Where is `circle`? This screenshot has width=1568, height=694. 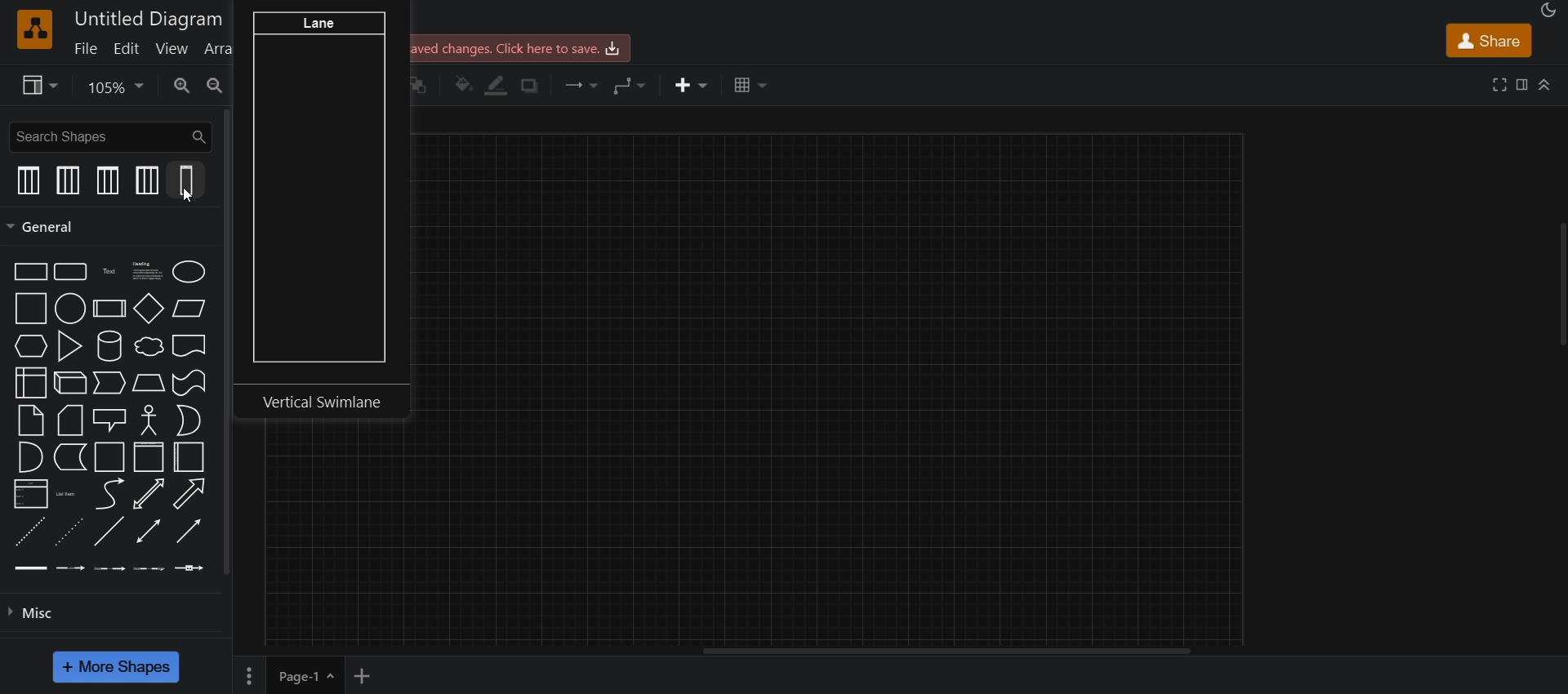
circle is located at coordinates (70, 309).